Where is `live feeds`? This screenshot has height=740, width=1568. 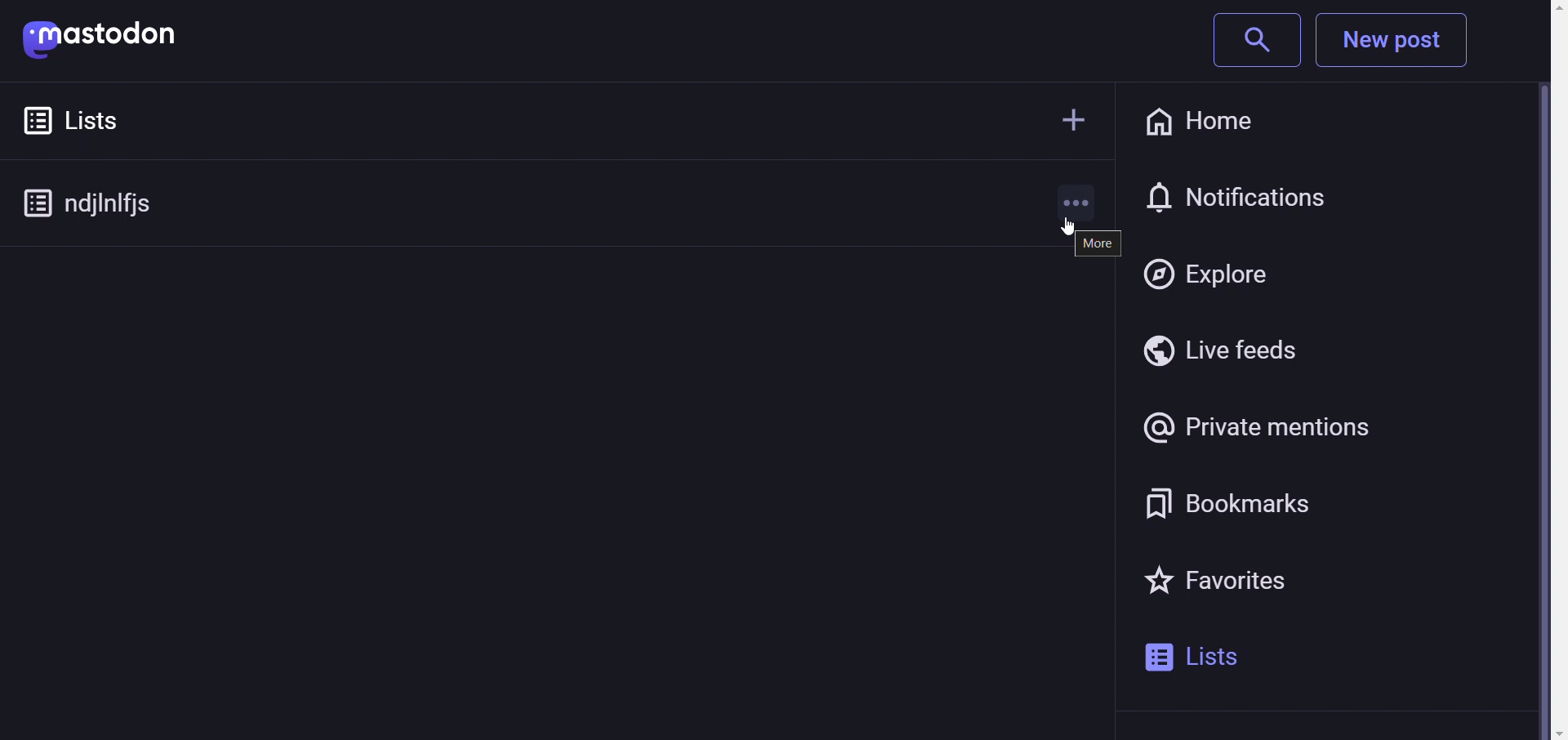 live feeds is located at coordinates (1223, 350).